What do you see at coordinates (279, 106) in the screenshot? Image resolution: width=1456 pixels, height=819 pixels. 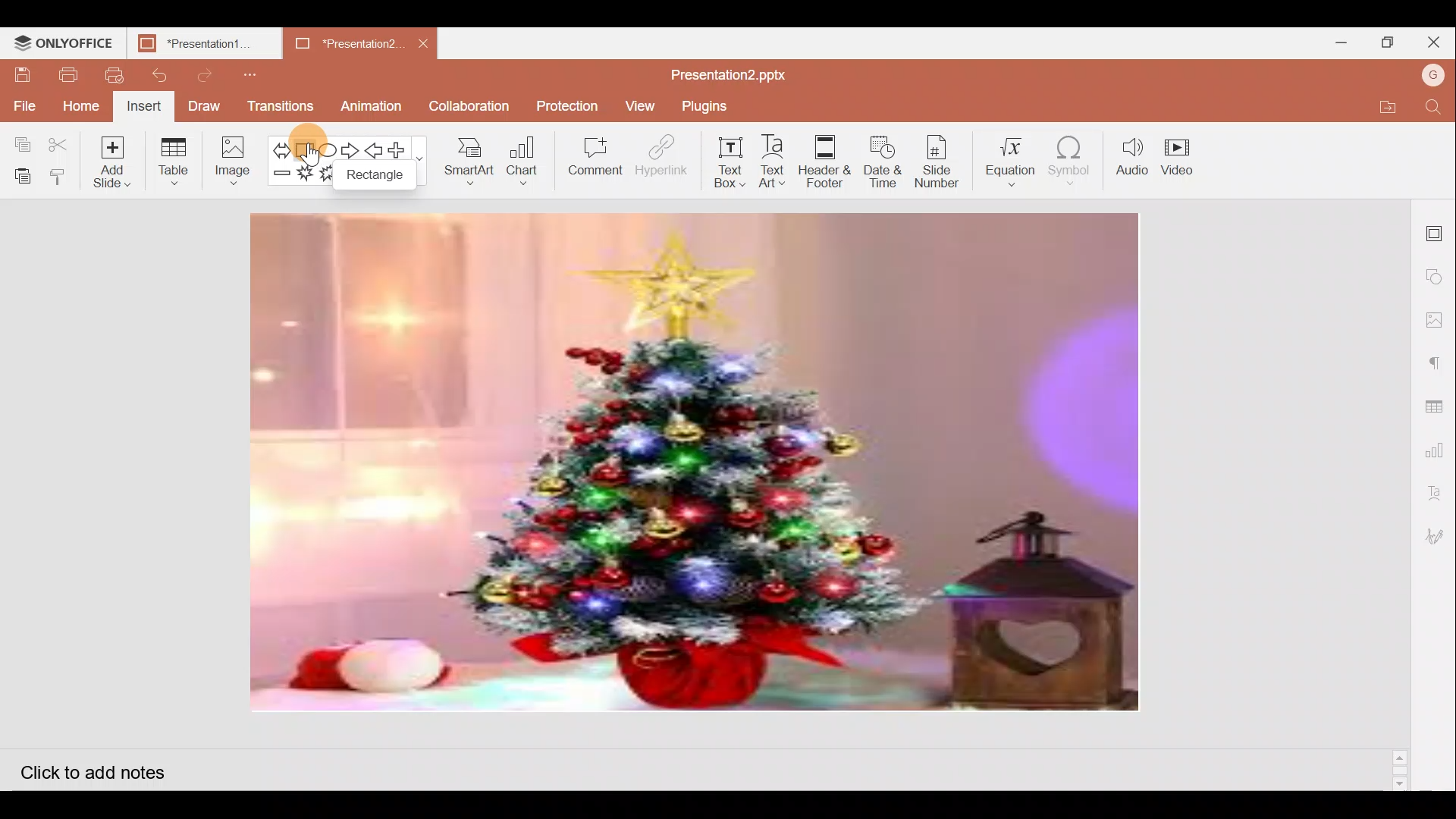 I see `Transitions` at bounding box center [279, 106].